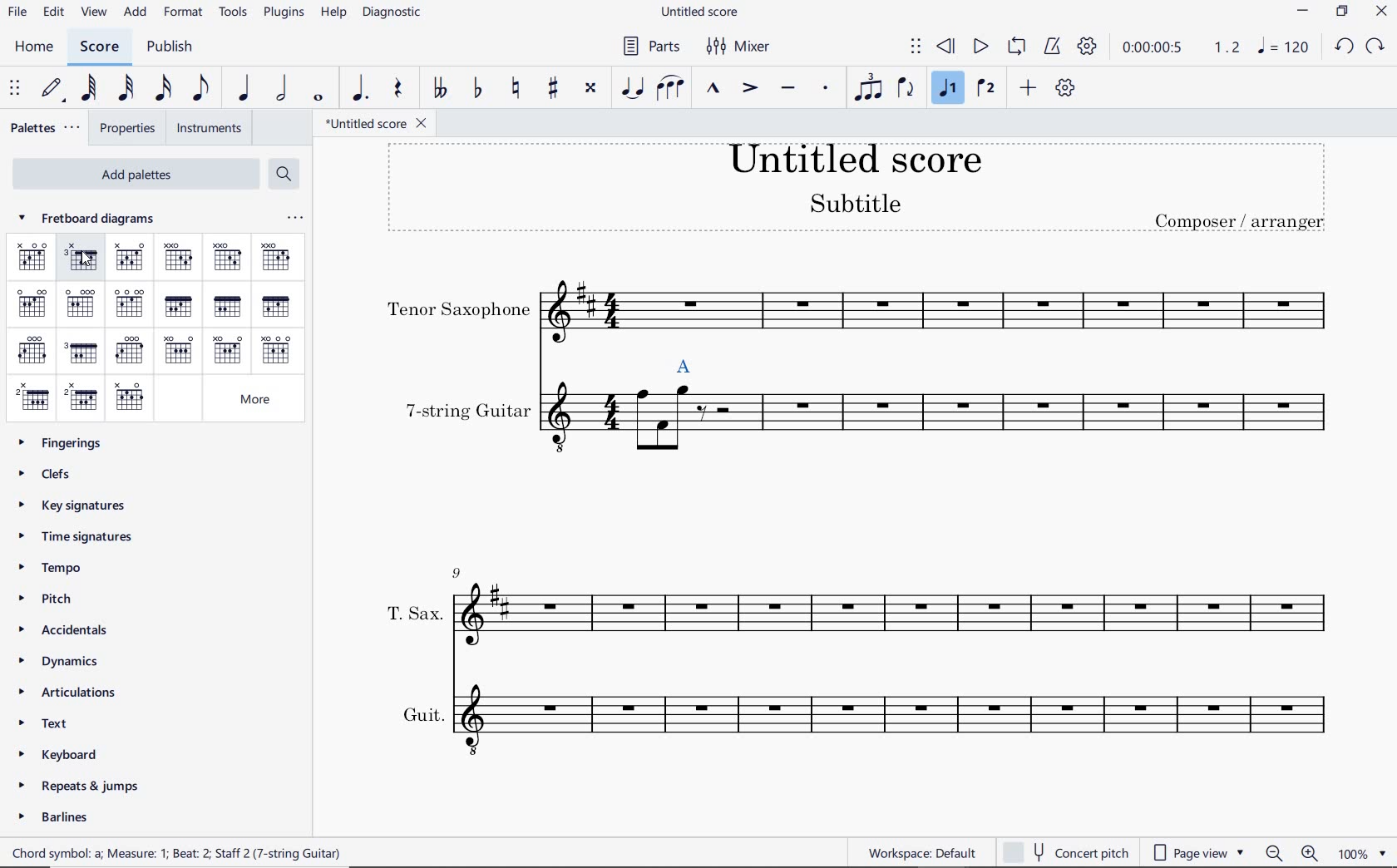  I want to click on PROPERTIES, so click(128, 130).